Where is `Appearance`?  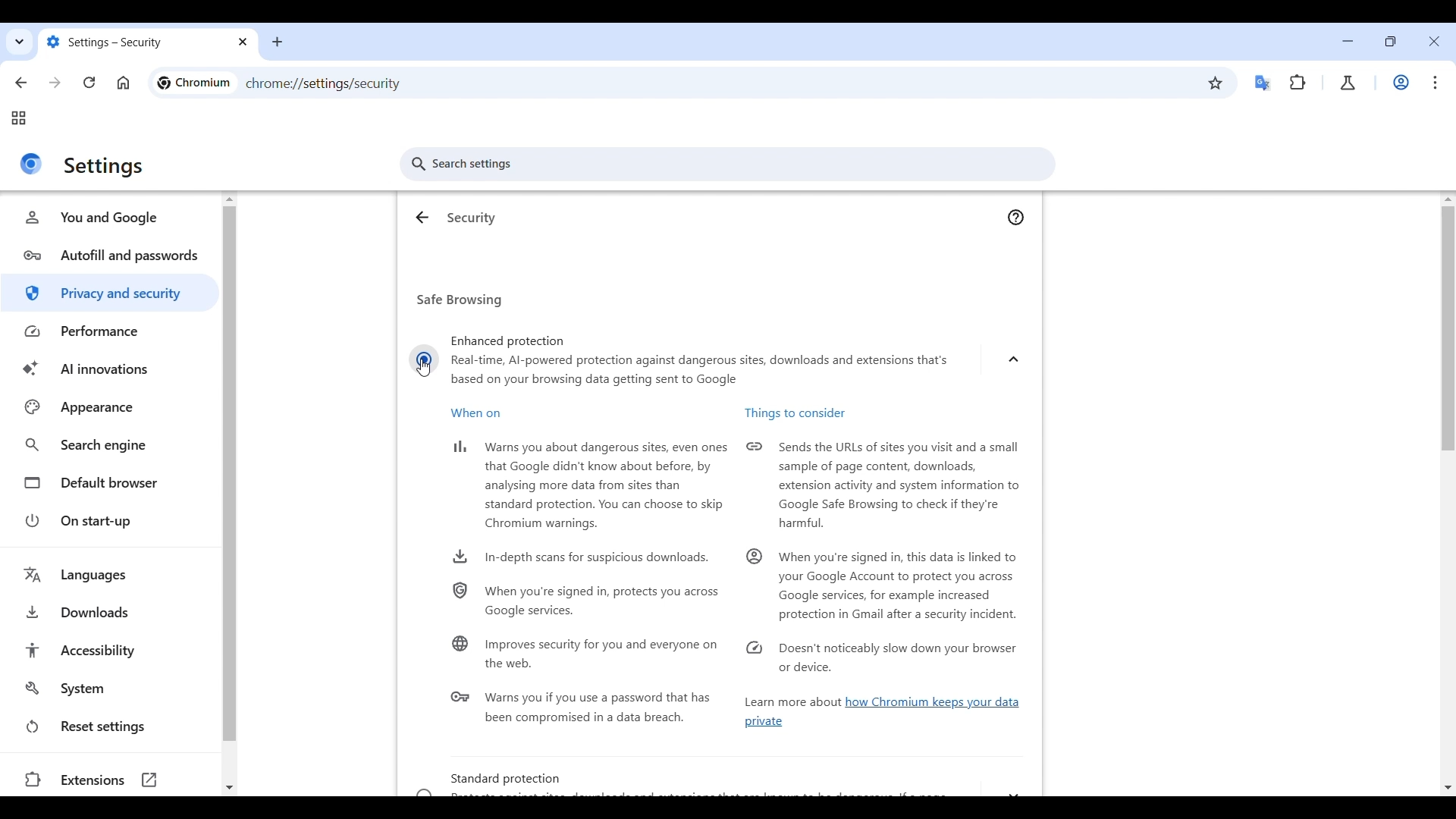 Appearance is located at coordinates (111, 406).